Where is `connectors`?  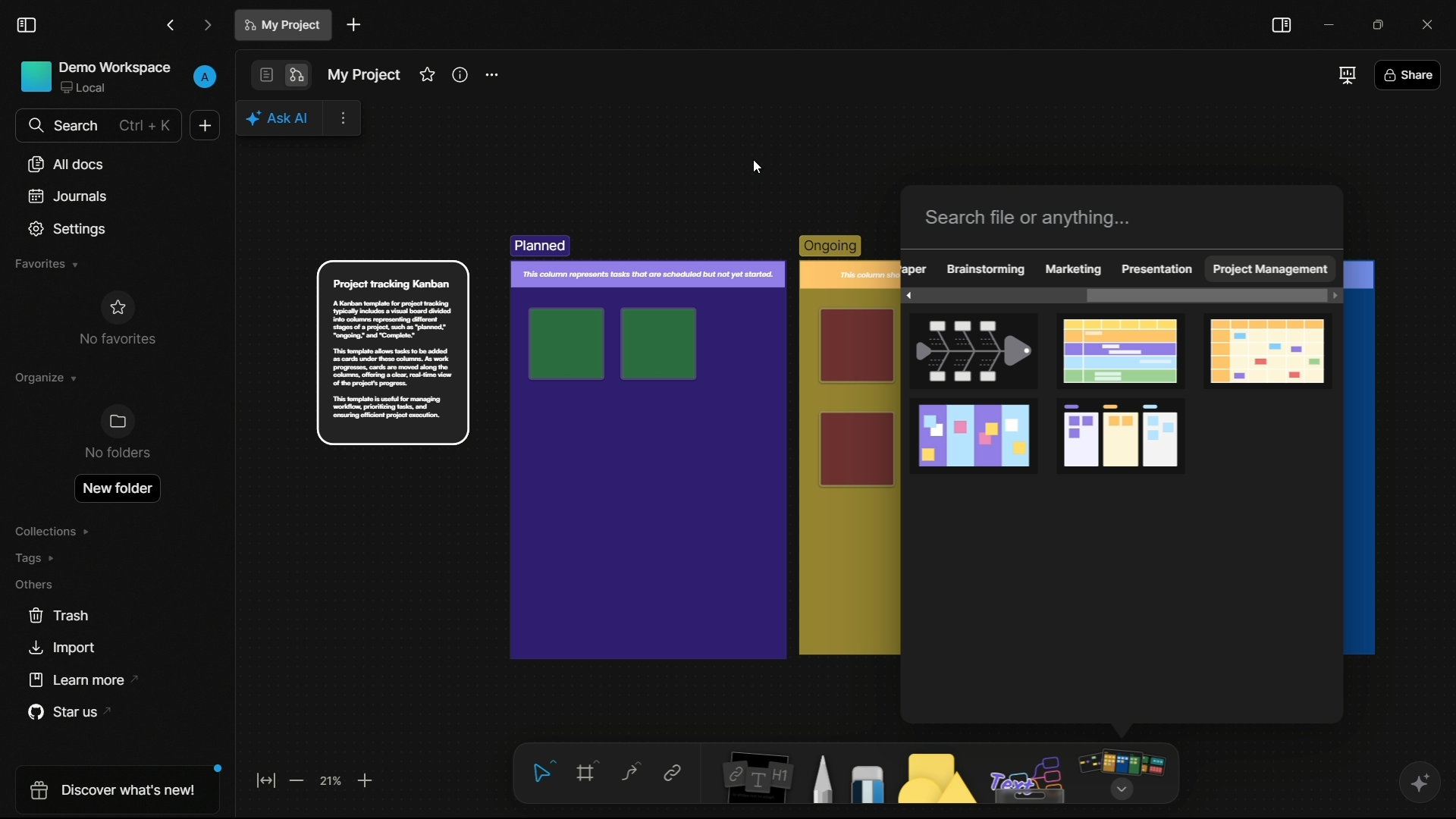 connectors is located at coordinates (630, 773).